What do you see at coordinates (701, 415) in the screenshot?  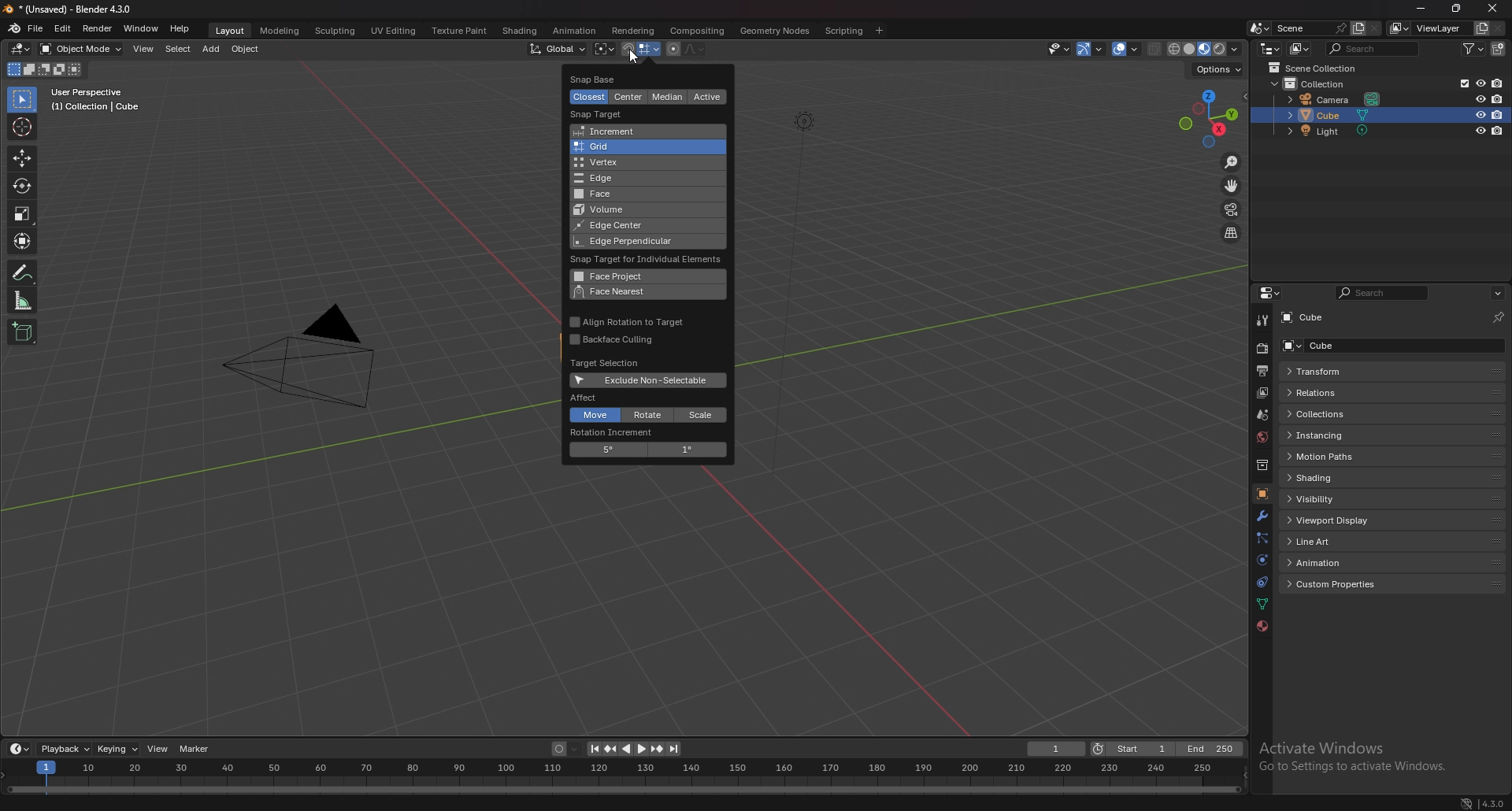 I see `scale` at bounding box center [701, 415].